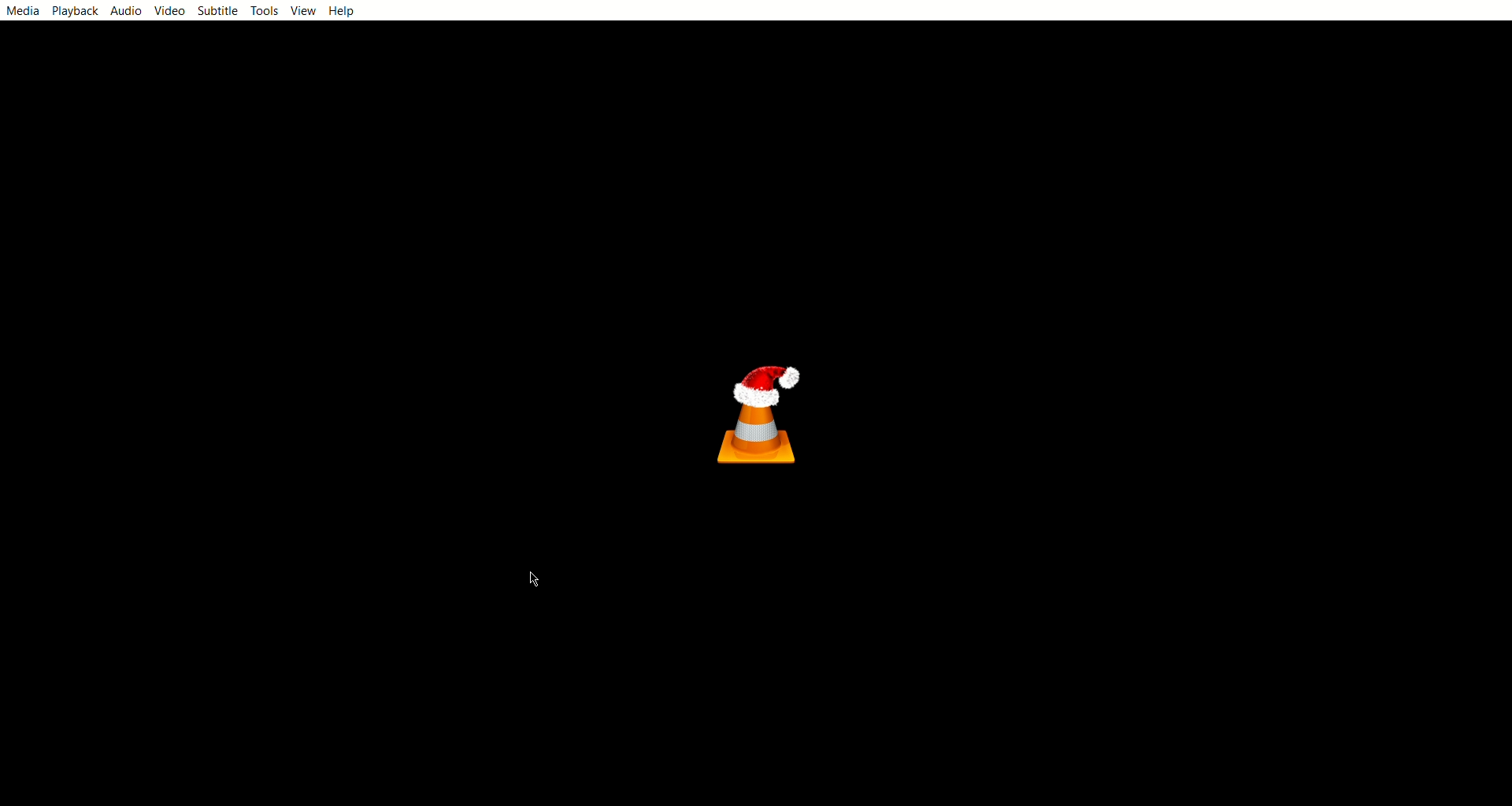  Describe the element at coordinates (124, 12) in the screenshot. I see `audio` at that location.